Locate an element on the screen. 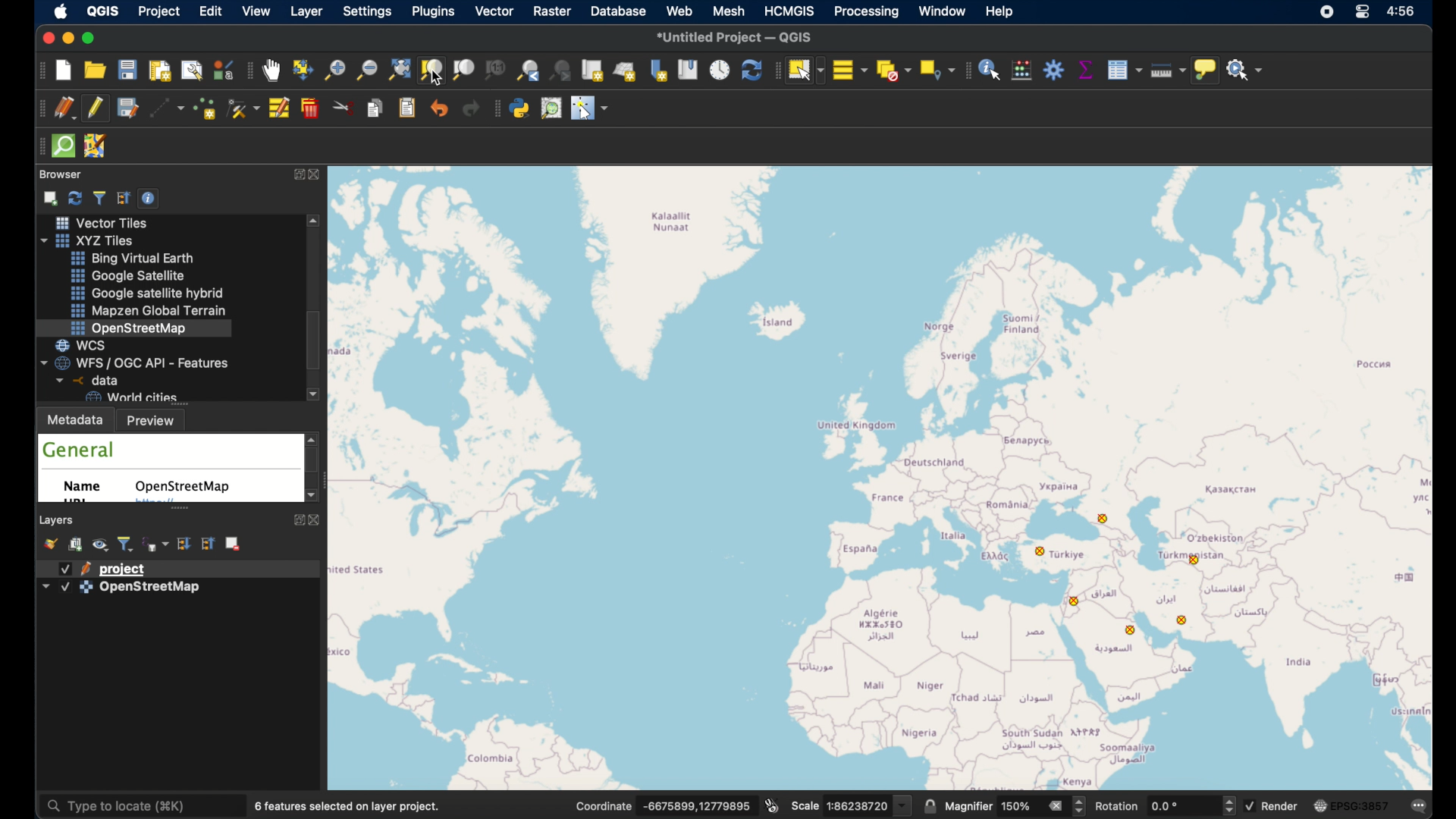  window is located at coordinates (943, 12).